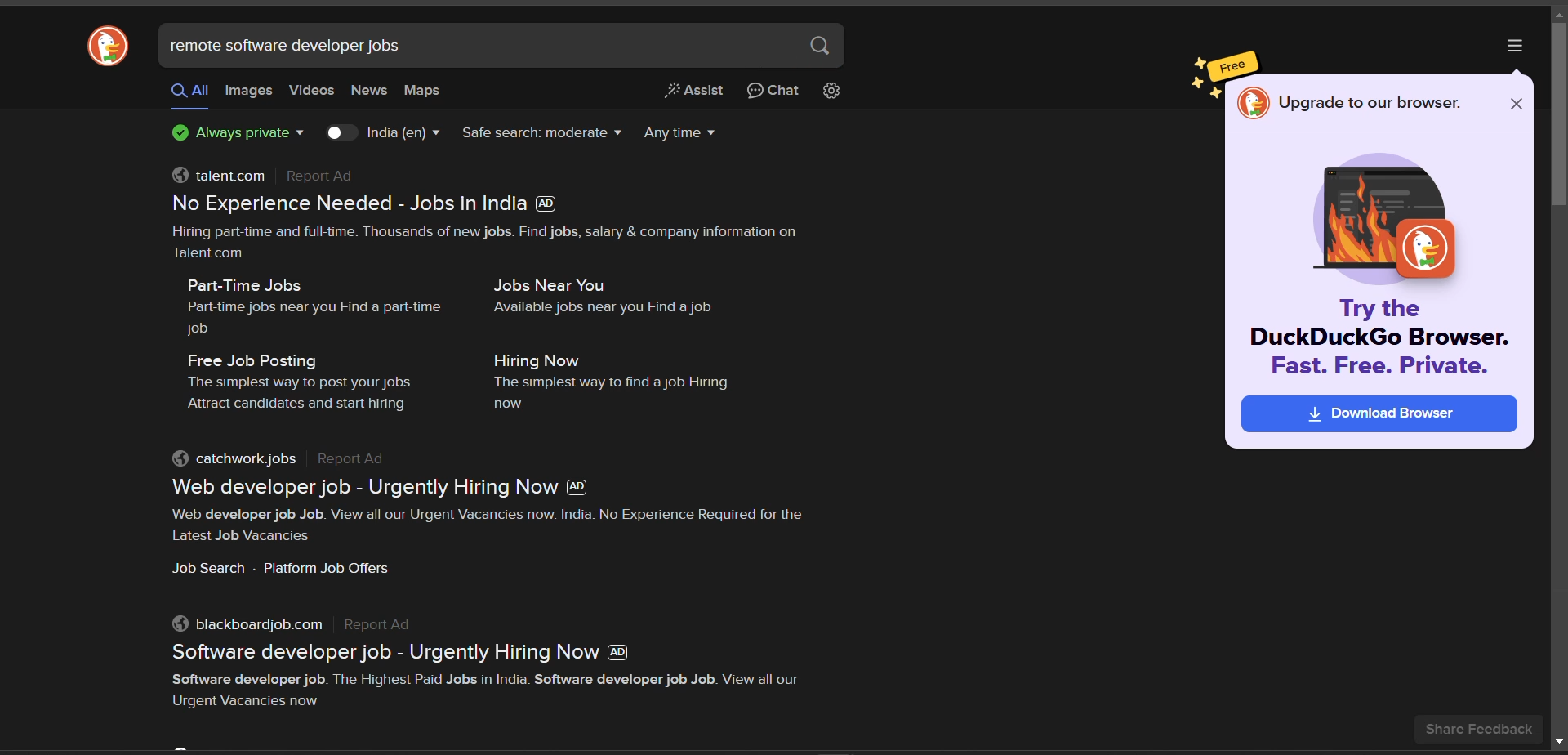  What do you see at coordinates (549, 283) in the screenshot?
I see `Jobs Near You` at bounding box center [549, 283].